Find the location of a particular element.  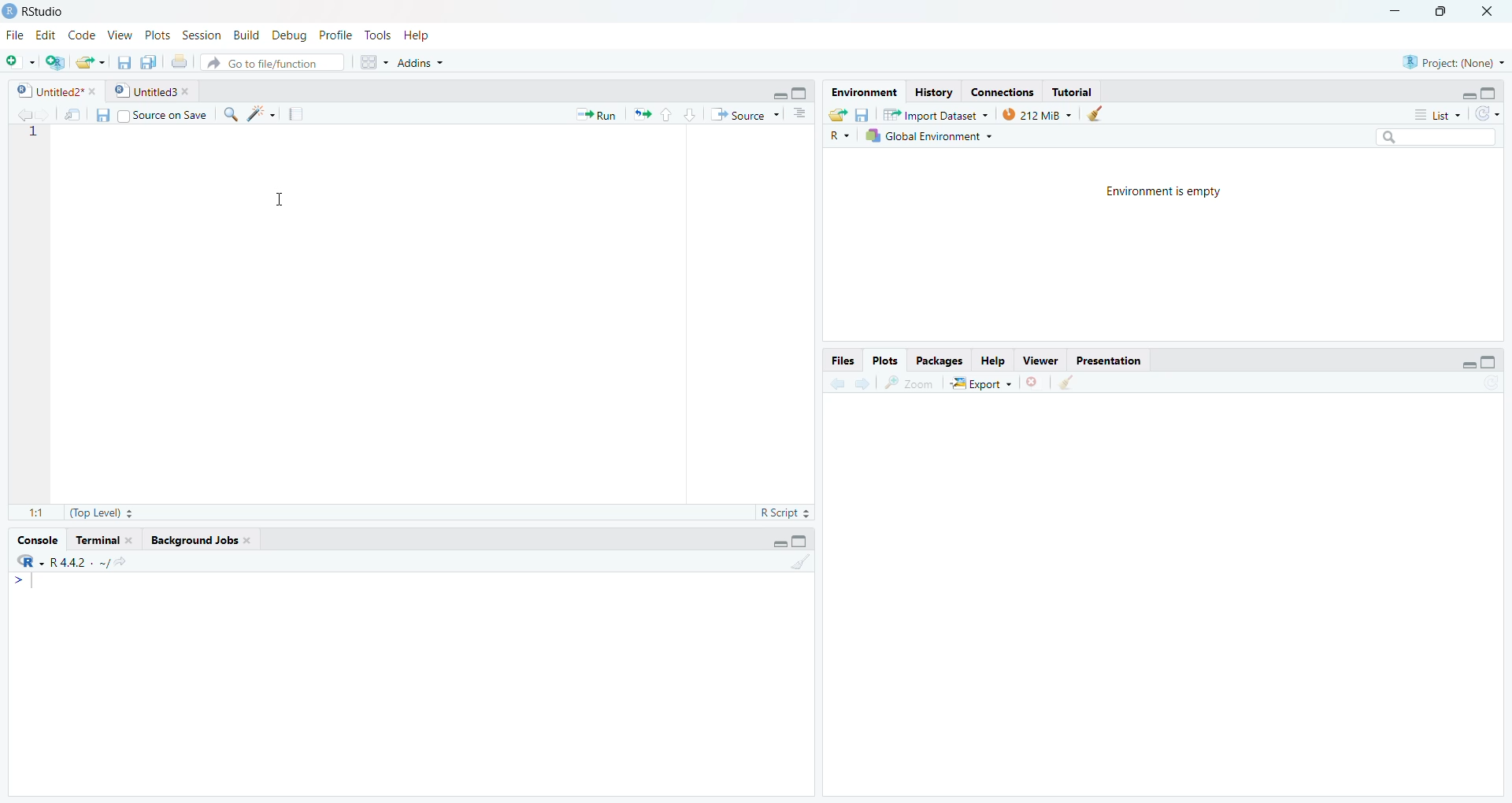

run is located at coordinates (591, 115).